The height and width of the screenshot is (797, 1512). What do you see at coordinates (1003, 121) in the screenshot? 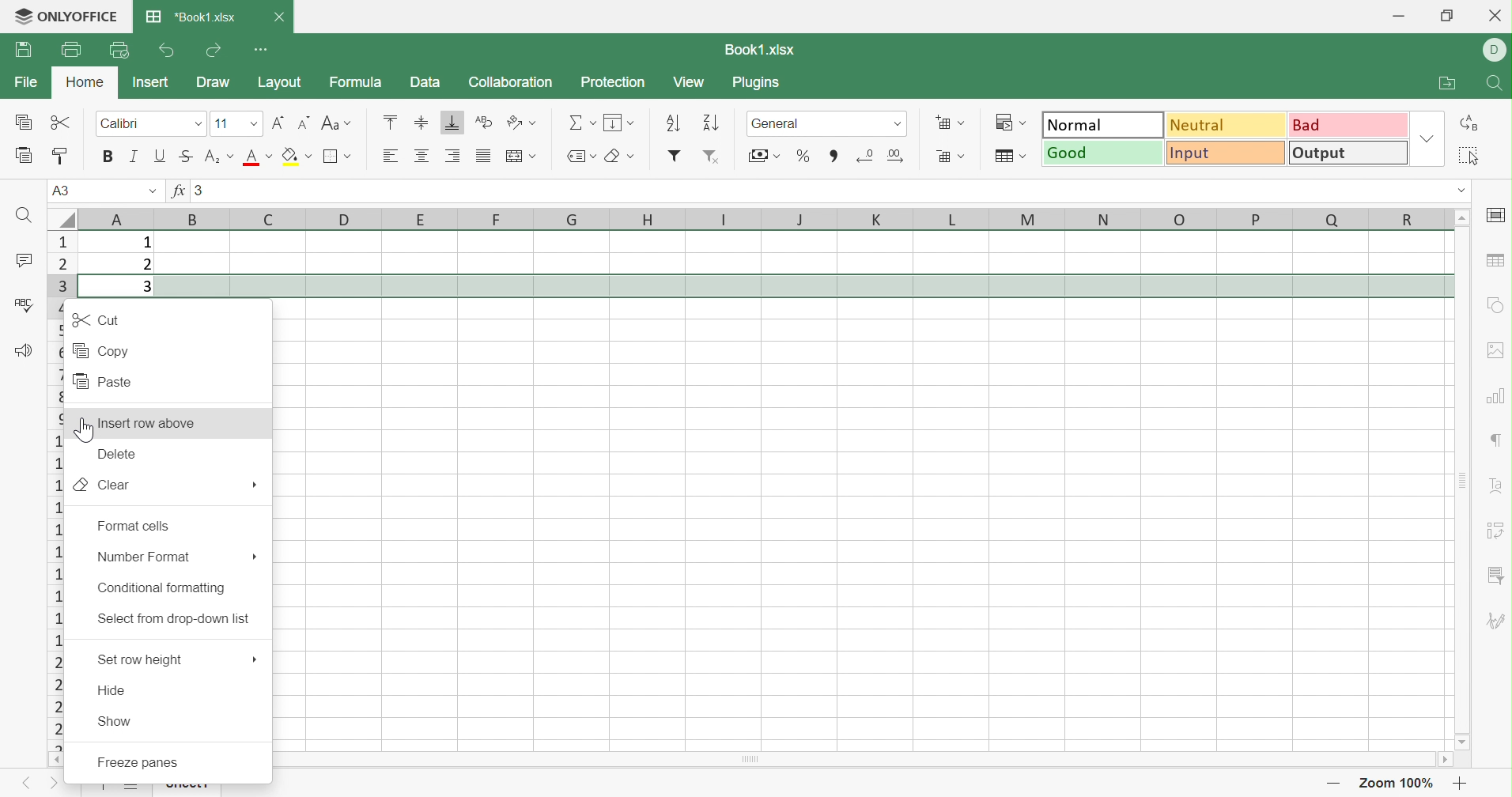
I see `Conditional formatting` at bounding box center [1003, 121].